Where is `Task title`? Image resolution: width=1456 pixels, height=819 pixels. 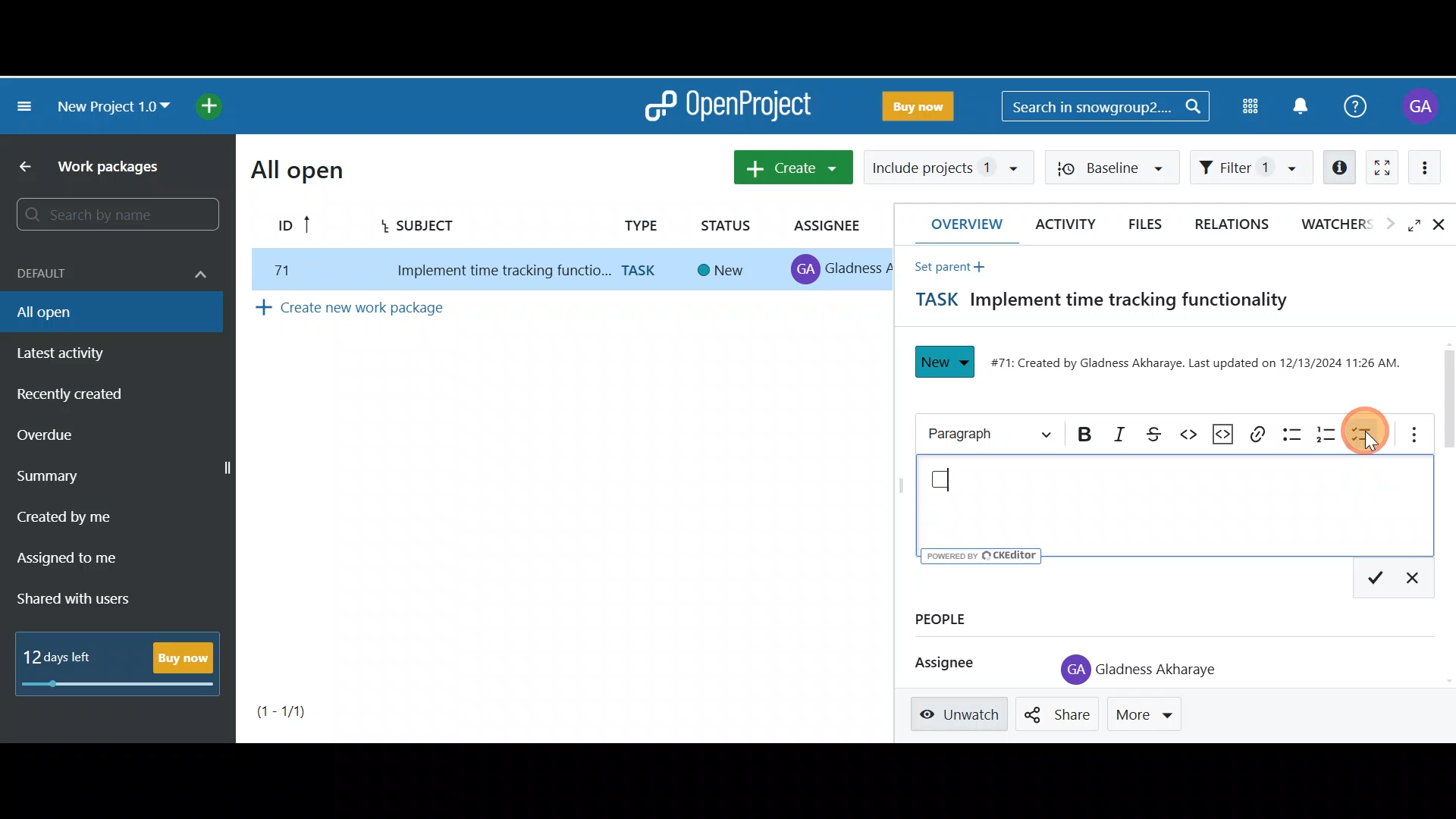 Task title is located at coordinates (1091, 303).